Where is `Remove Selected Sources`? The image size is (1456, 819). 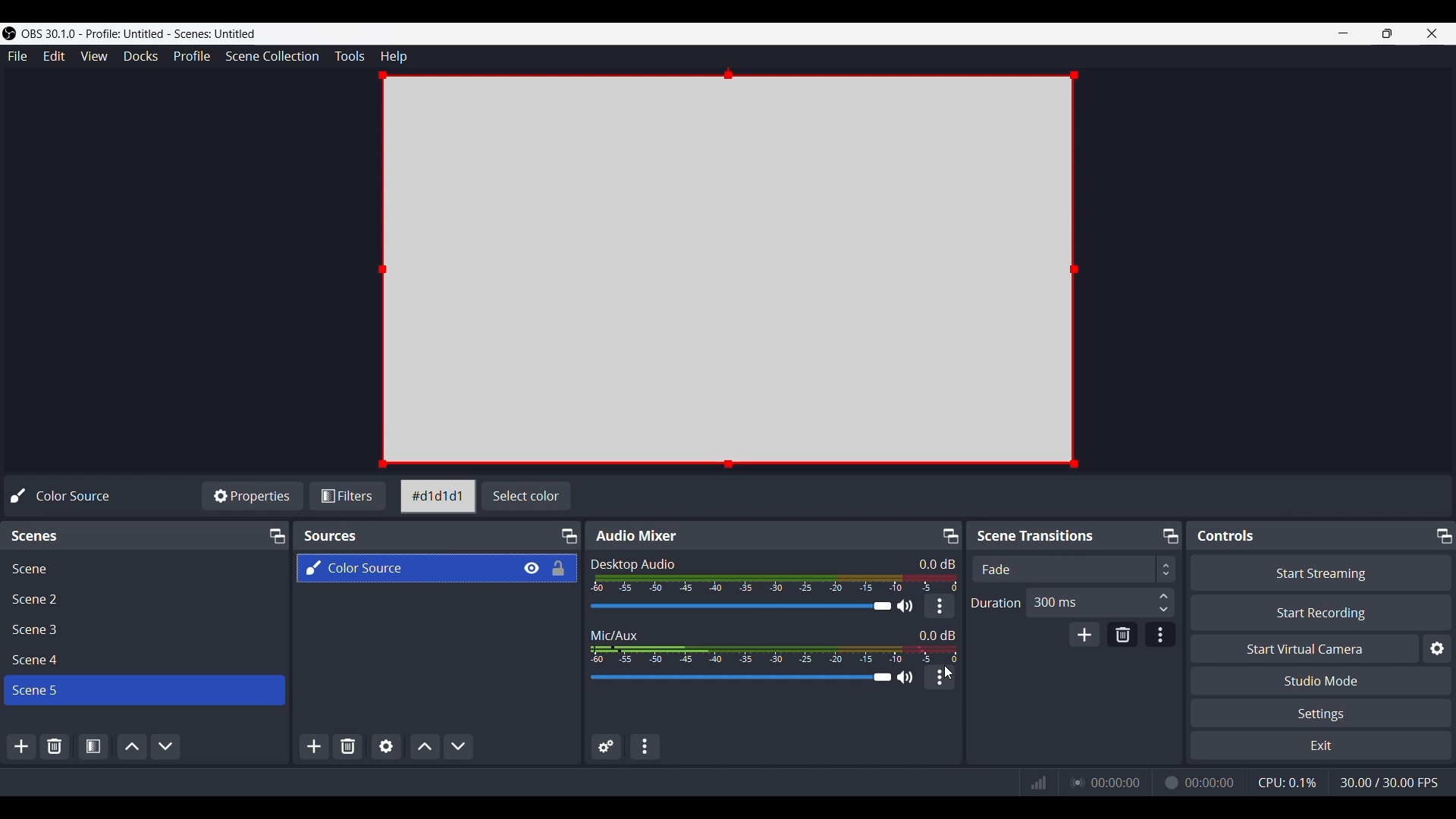
Remove Selected Sources is located at coordinates (347, 747).